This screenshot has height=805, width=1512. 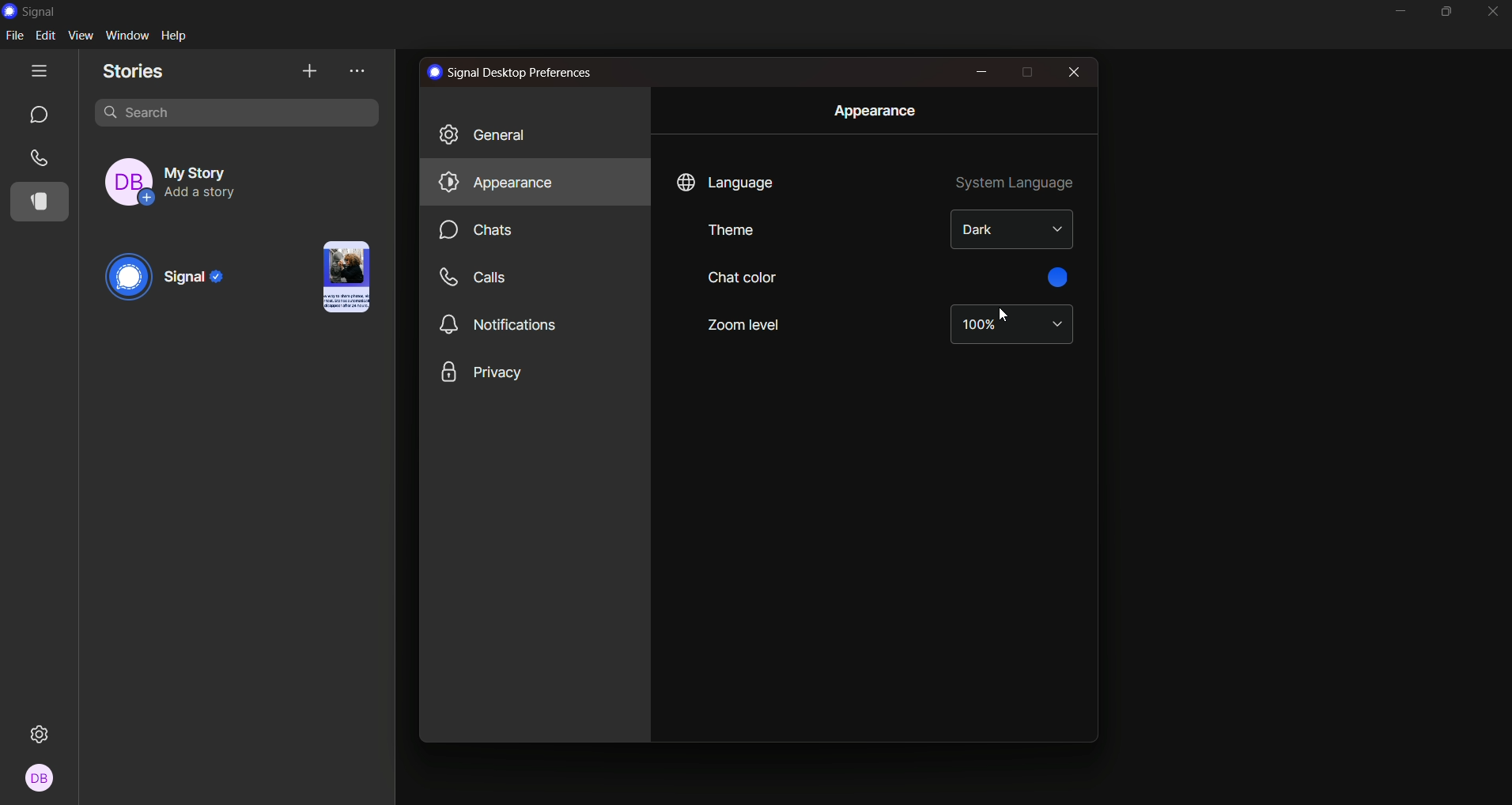 What do you see at coordinates (493, 181) in the screenshot?
I see `appearance` at bounding box center [493, 181].